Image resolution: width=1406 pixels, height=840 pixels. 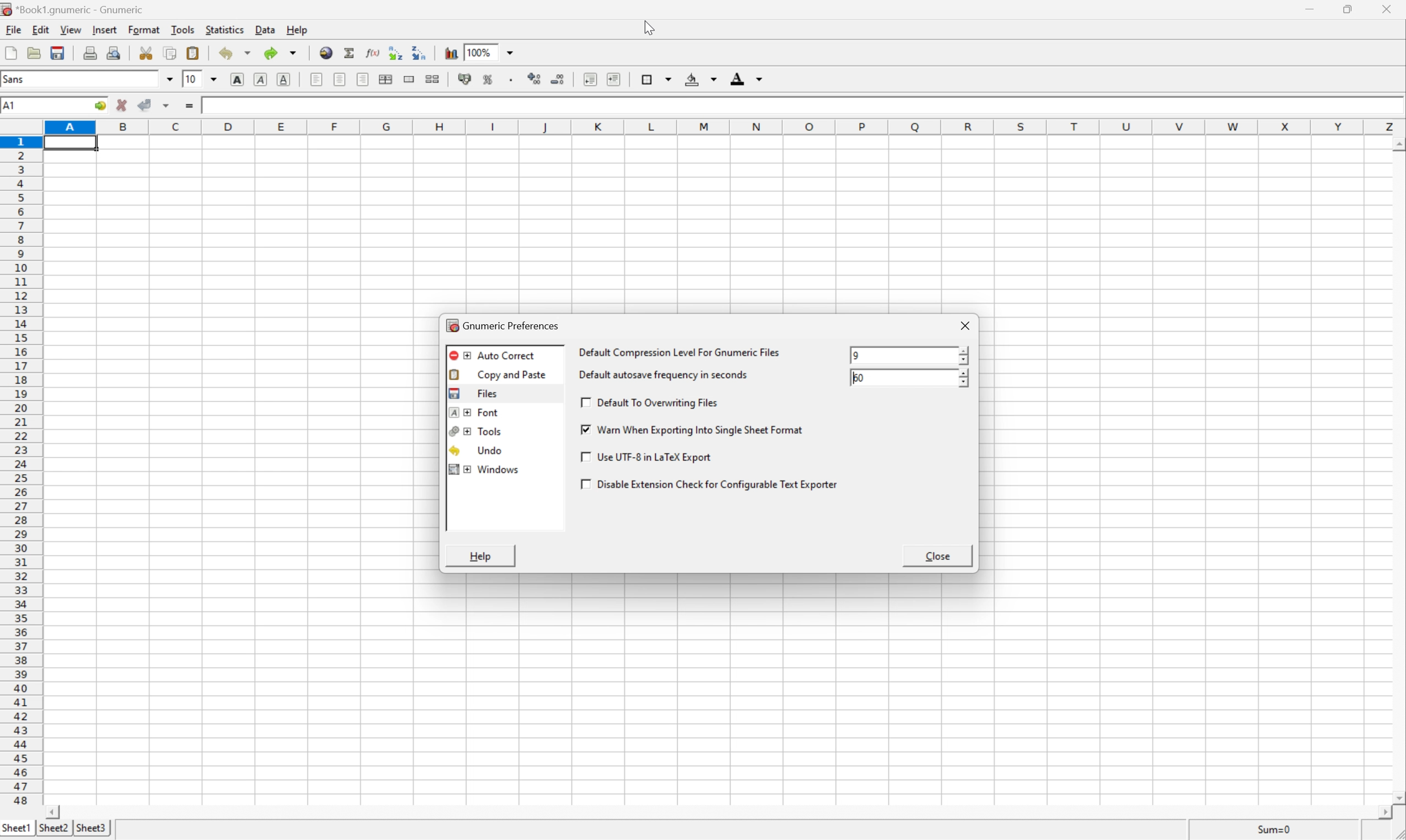 What do you see at coordinates (1374, 812) in the screenshot?
I see `scroll right` at bounding box center [1374, 812].